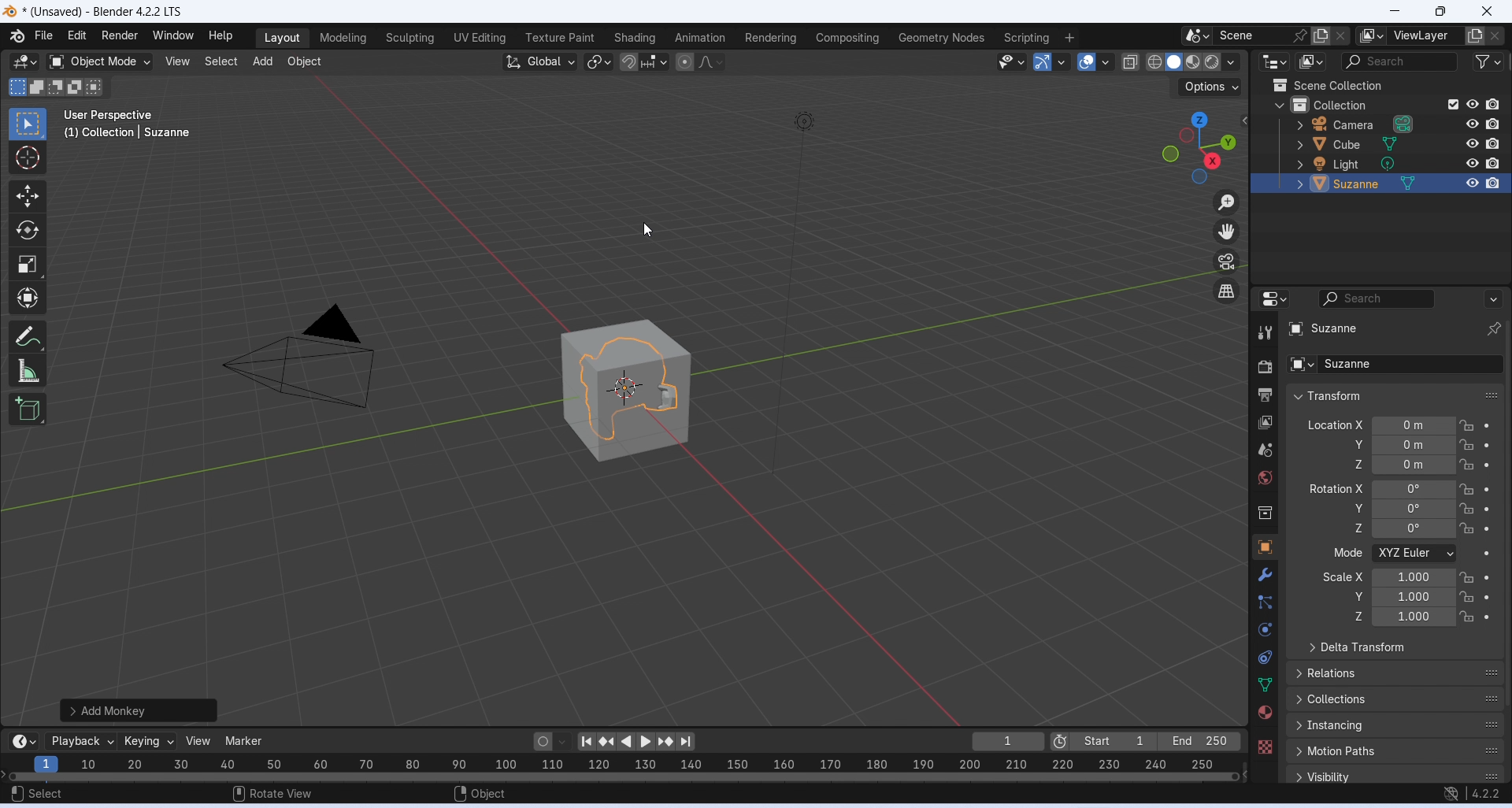 Image resolution: width=1512 pixels, height=808 pixels. Describe the element at coordinates (648, 742) in the screenshot. I see `play animation` at that location.